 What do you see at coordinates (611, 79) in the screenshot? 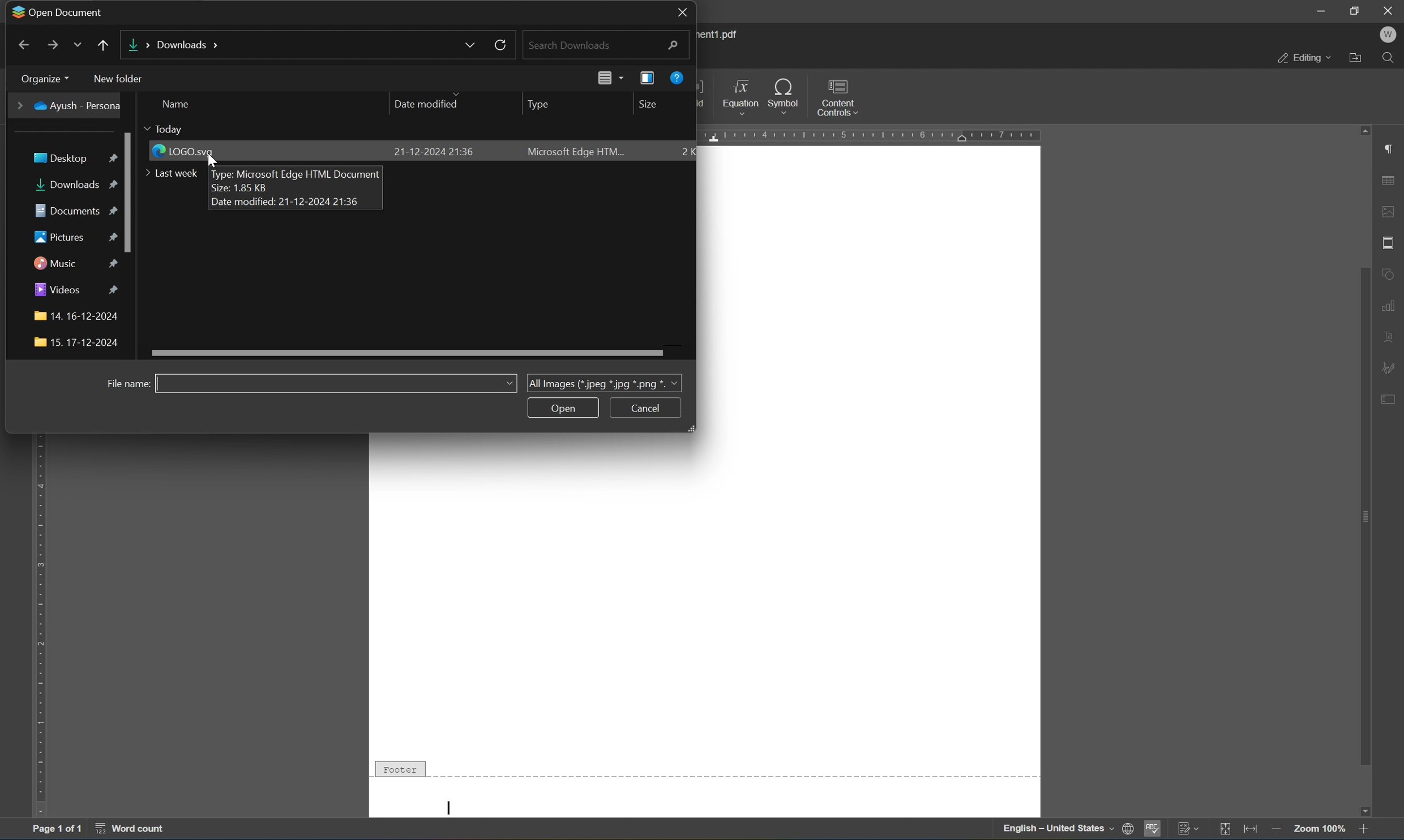
I see `change your view` at bounding box center [611, 79].